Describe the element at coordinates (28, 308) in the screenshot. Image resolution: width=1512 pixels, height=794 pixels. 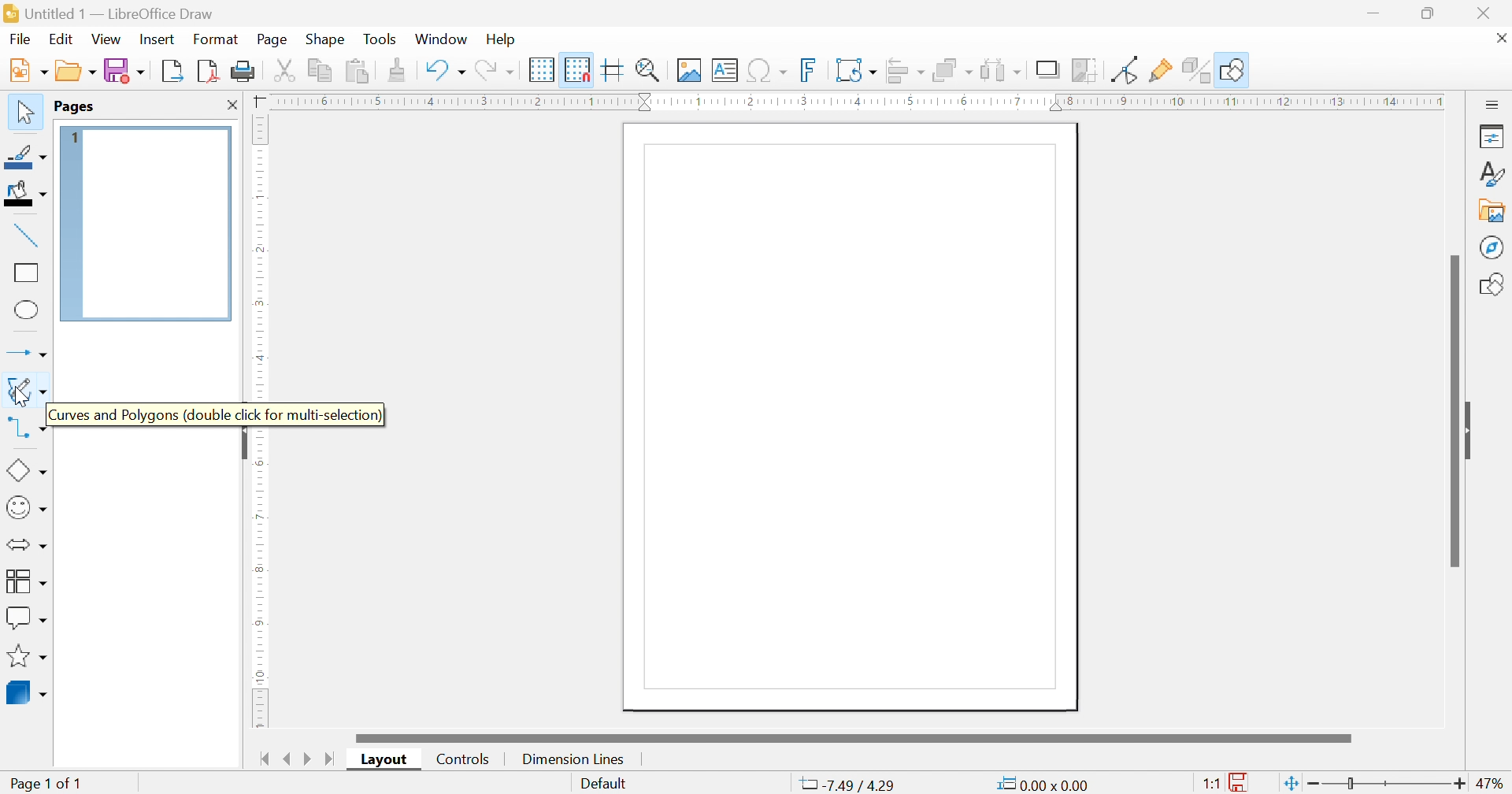
I see `ellipse` at that location.